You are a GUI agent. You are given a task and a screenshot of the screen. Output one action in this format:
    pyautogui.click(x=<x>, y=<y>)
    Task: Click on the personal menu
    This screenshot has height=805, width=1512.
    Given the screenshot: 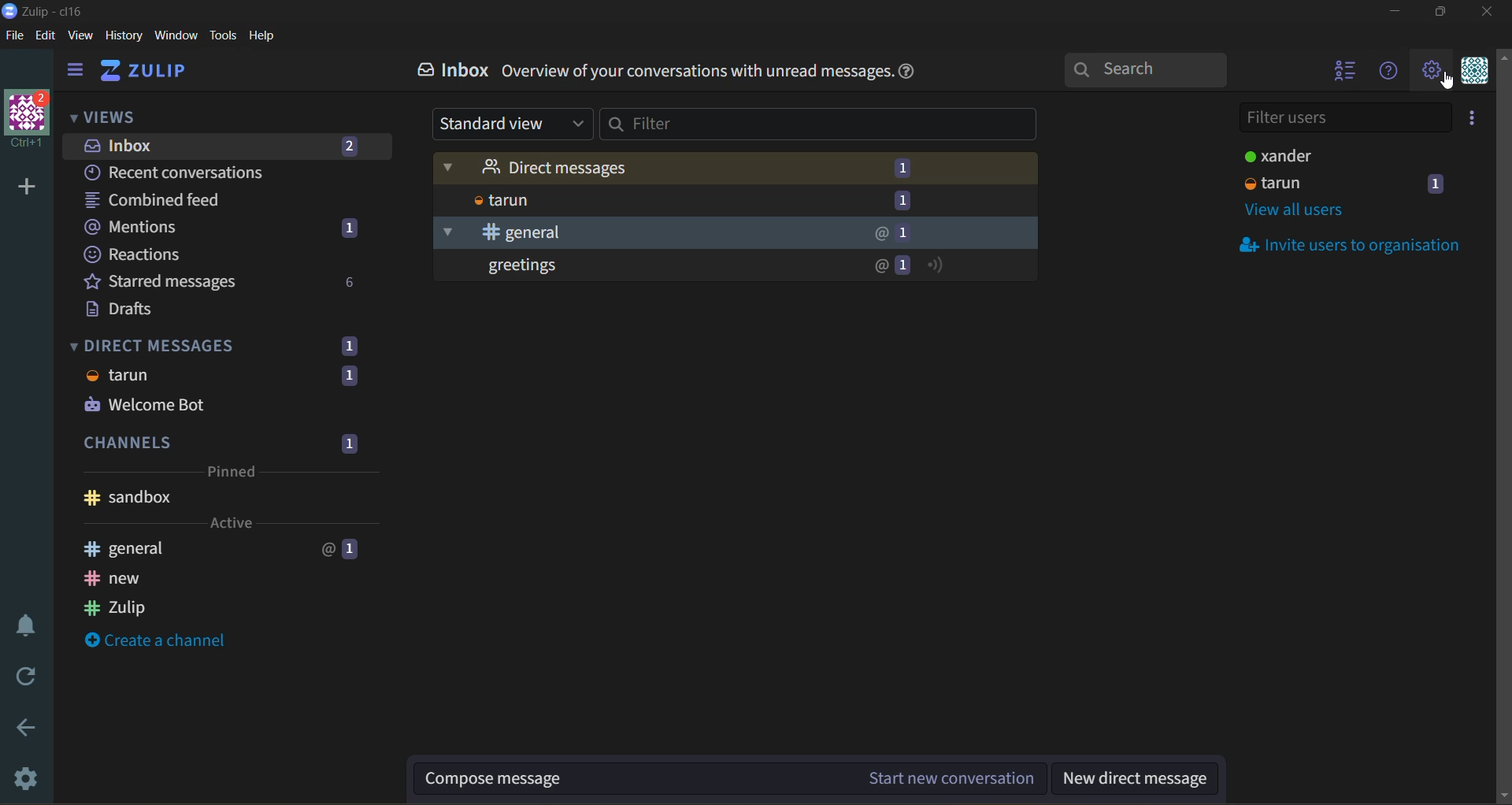 What is the action you would take?
    pyautogui.click(x=1478, y=72)
    